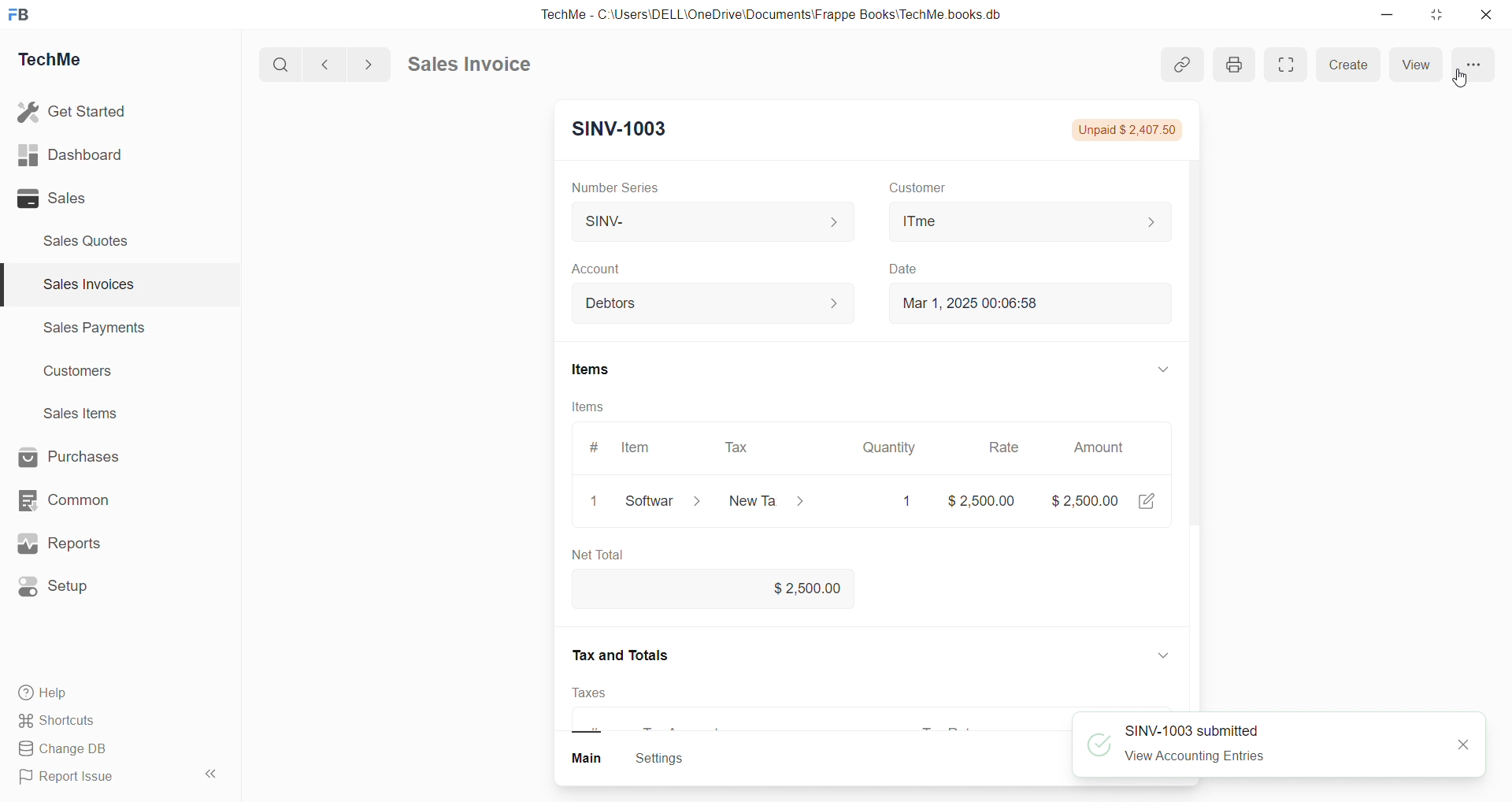  What do you see at coordinates (666, 759) in the screenshot?
I see `Settings` at bounding box center [666, 759].